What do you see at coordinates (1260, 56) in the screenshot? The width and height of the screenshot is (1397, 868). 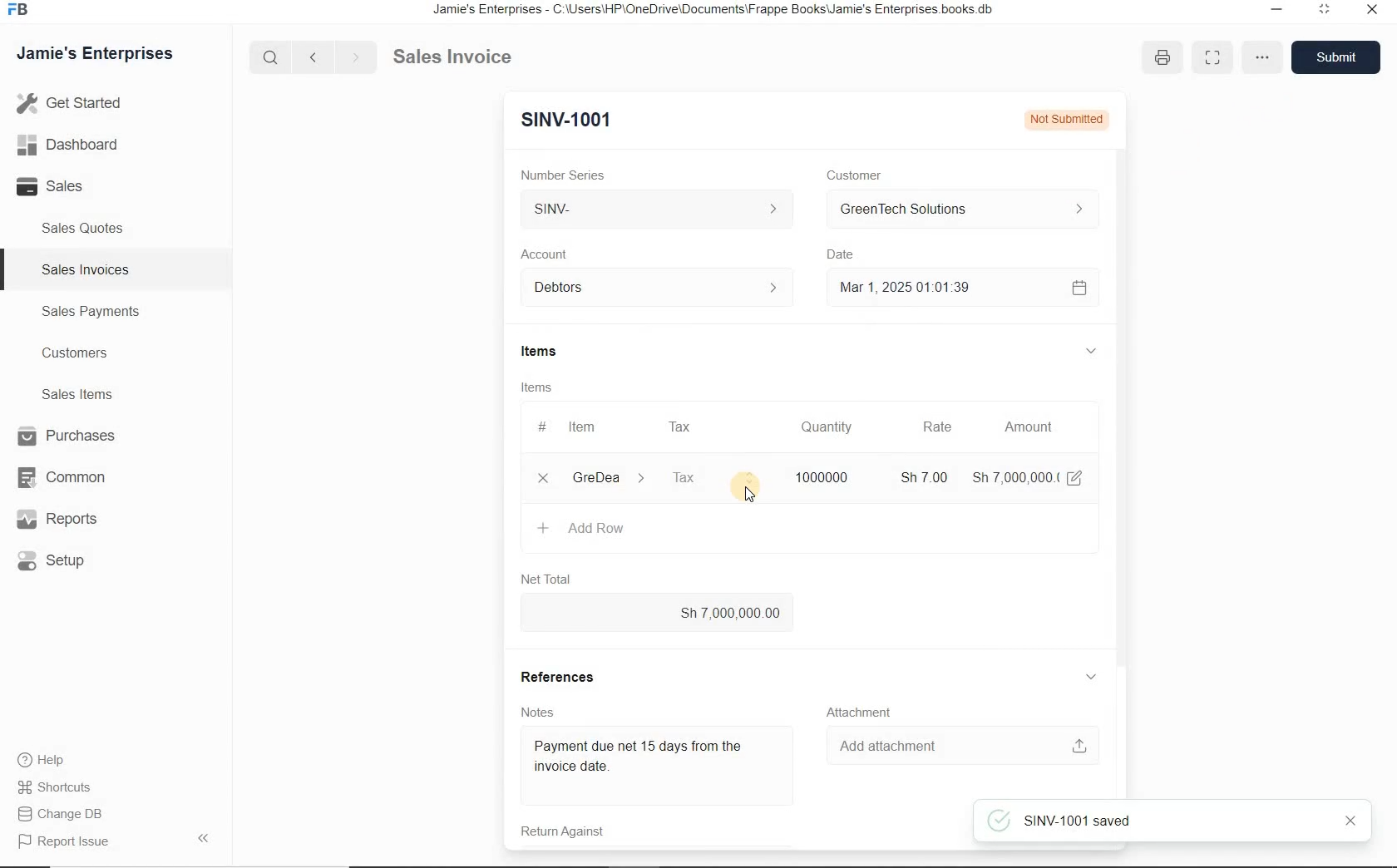 I see `option` at bounding box center [1260, 56].